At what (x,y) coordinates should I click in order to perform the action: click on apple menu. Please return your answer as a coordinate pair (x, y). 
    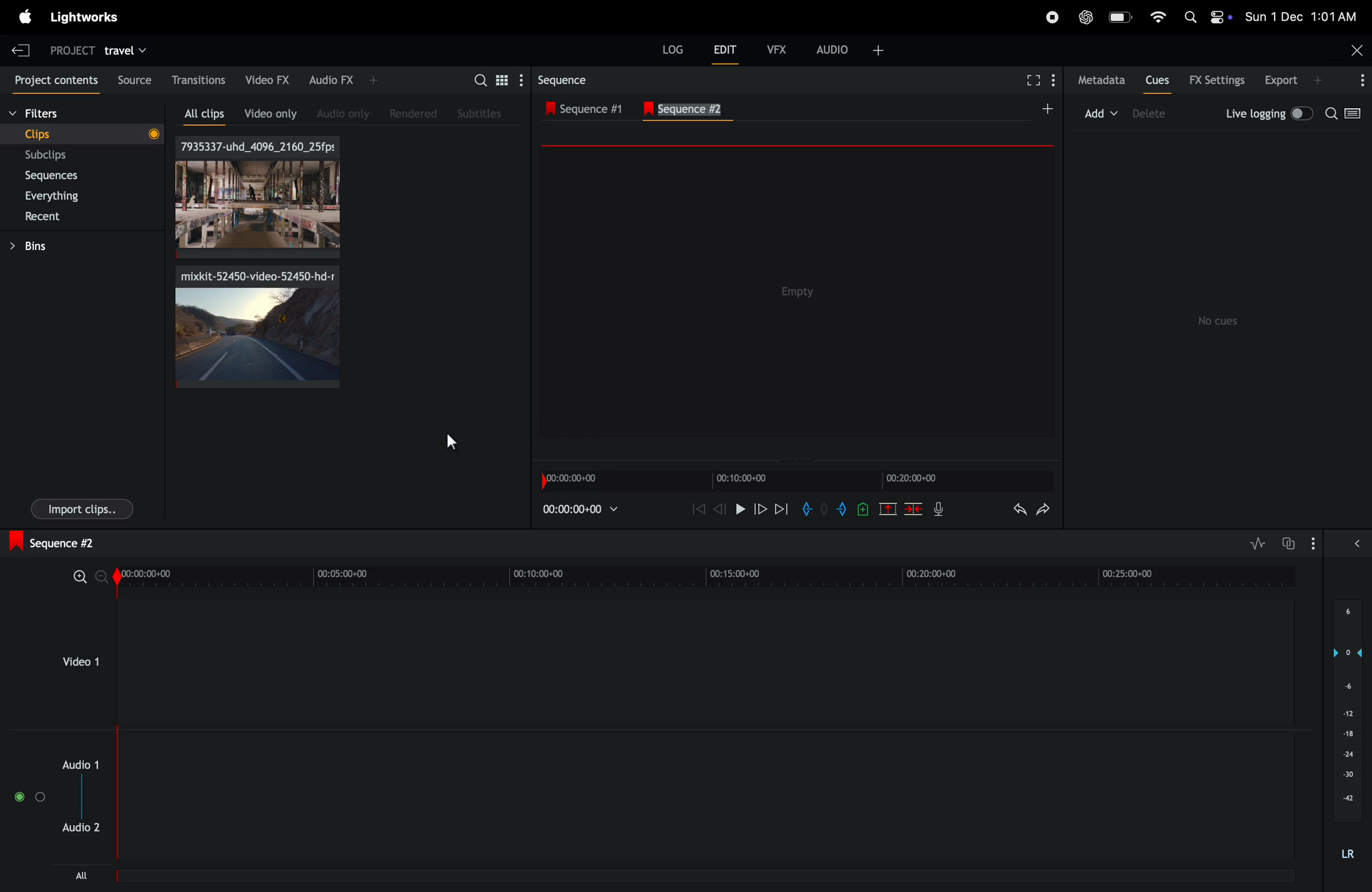
    Looking at the image, I should click on (25, 17).